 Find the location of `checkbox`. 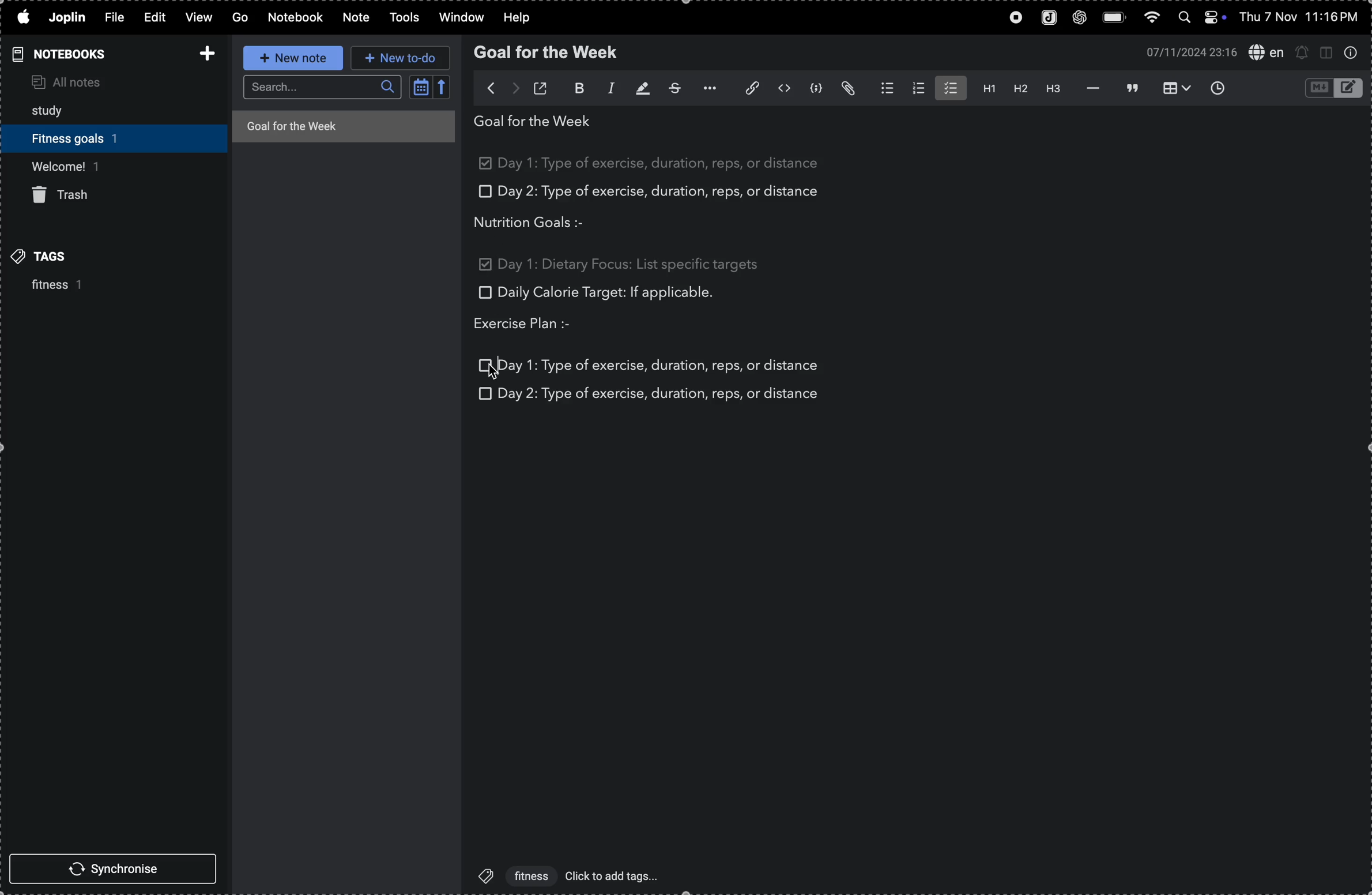

checkbox is located at coordinates (485, 269).